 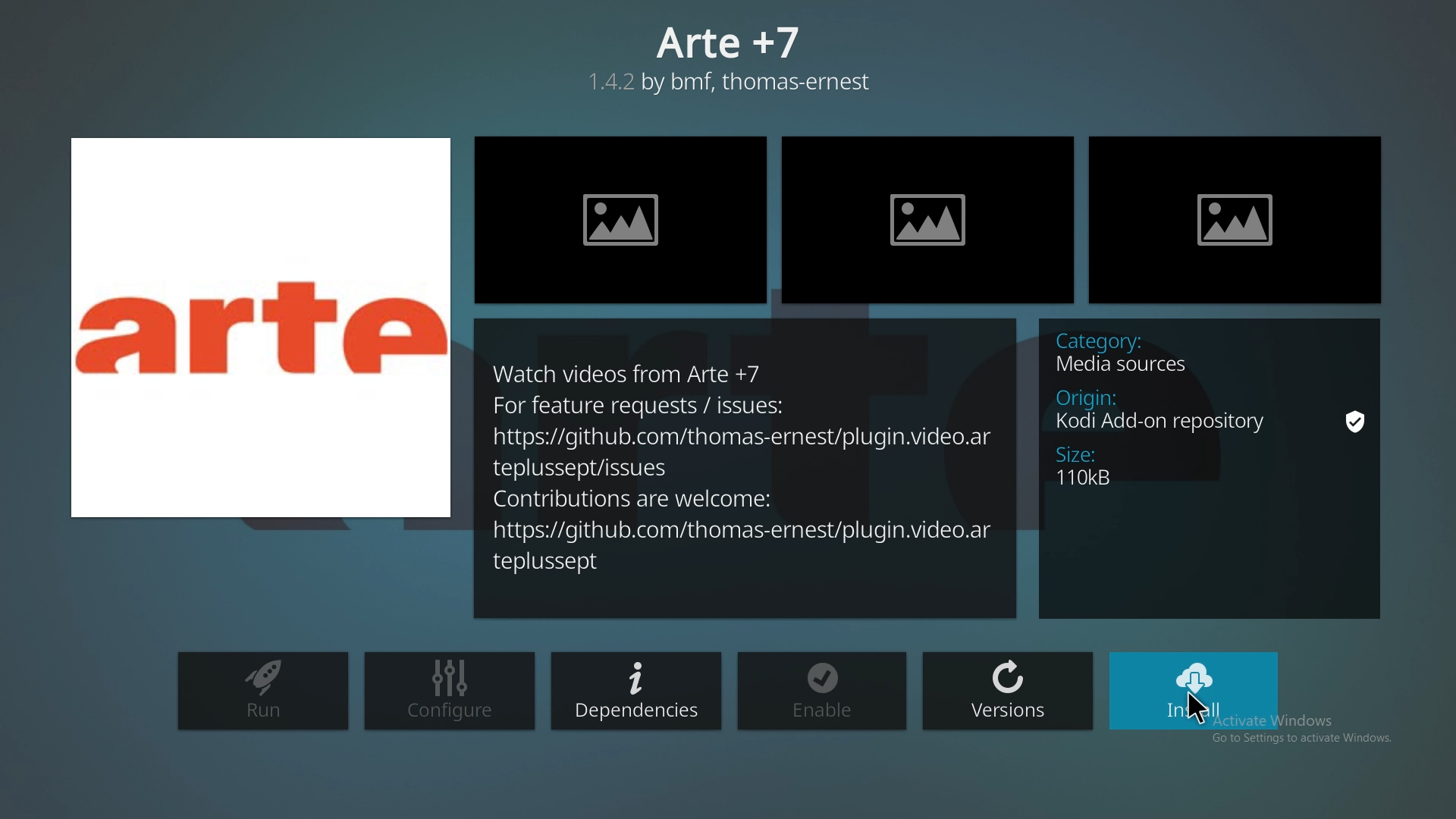 What do you see at coordinates (746, 468) in the screenshot?
I see `description` at bounding box center [746, 468].